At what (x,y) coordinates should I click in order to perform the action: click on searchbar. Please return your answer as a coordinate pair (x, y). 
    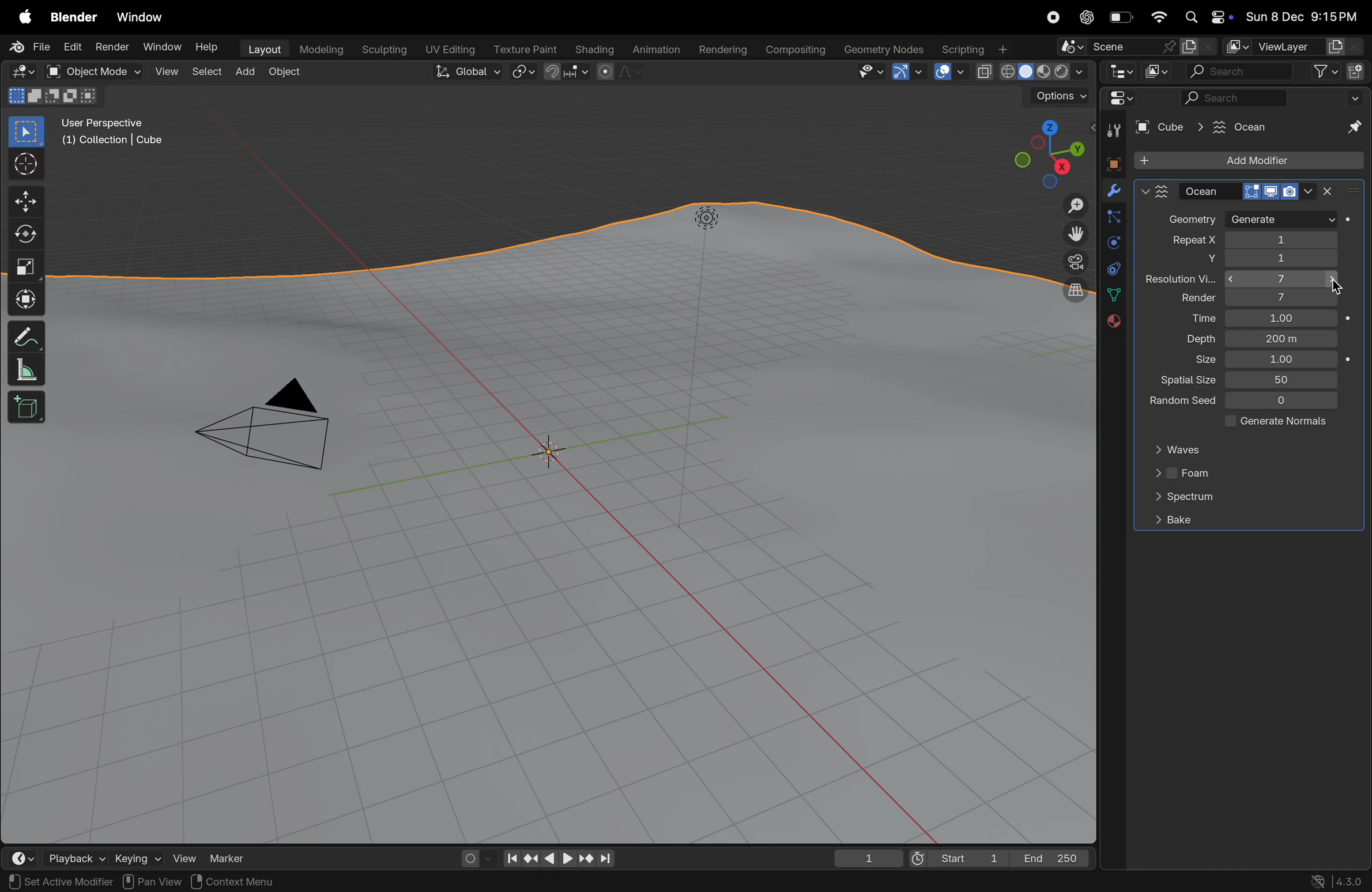
    Looking at the image, I should click on (1236, 99).